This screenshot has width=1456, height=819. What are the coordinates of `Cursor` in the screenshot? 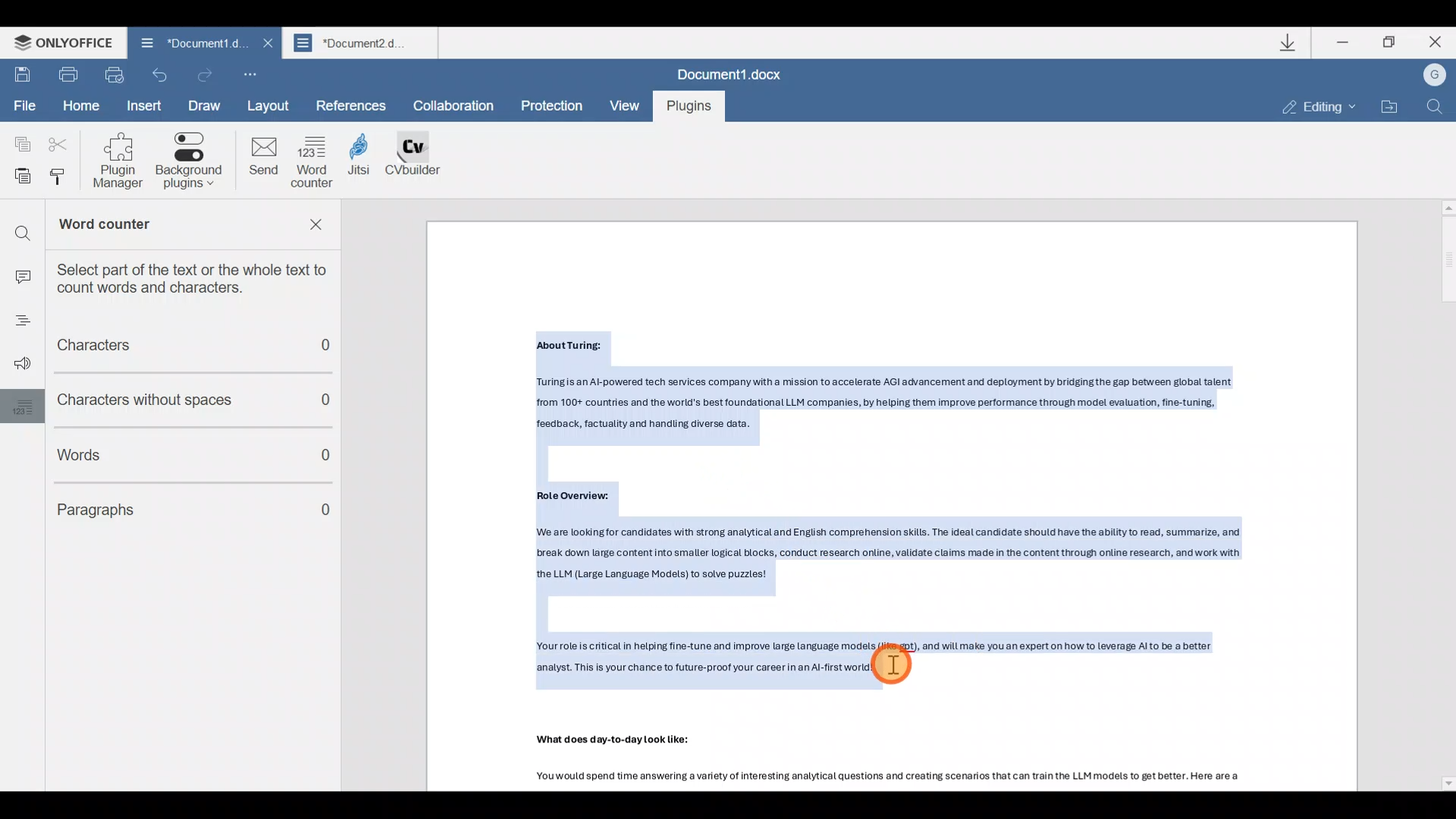 It's located at (905, 667).